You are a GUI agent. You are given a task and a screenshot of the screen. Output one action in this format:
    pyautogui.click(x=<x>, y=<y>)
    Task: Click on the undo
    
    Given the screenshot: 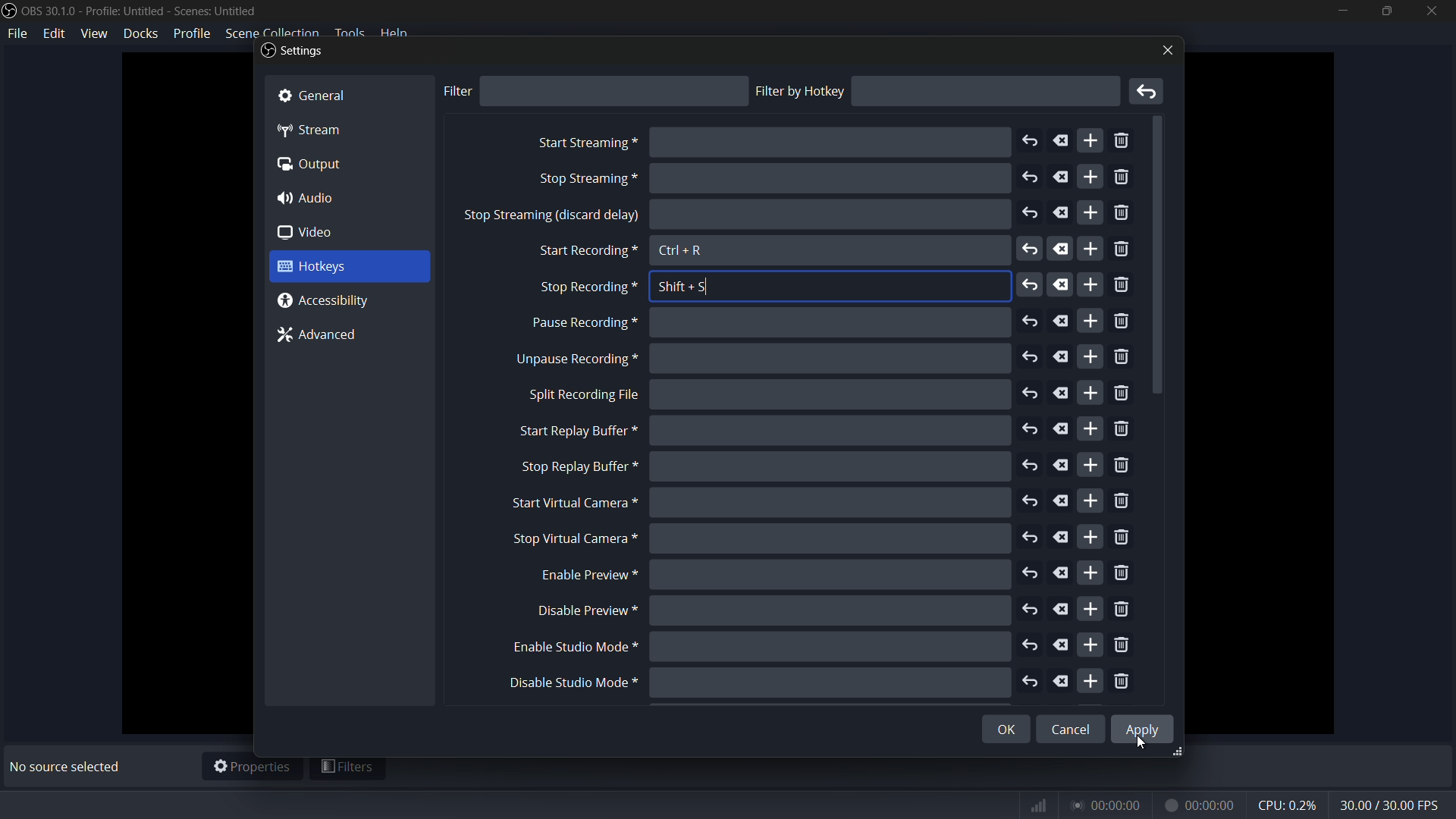 What is the action you would take?
    pyautogui.click(x=1031, y=648)
    